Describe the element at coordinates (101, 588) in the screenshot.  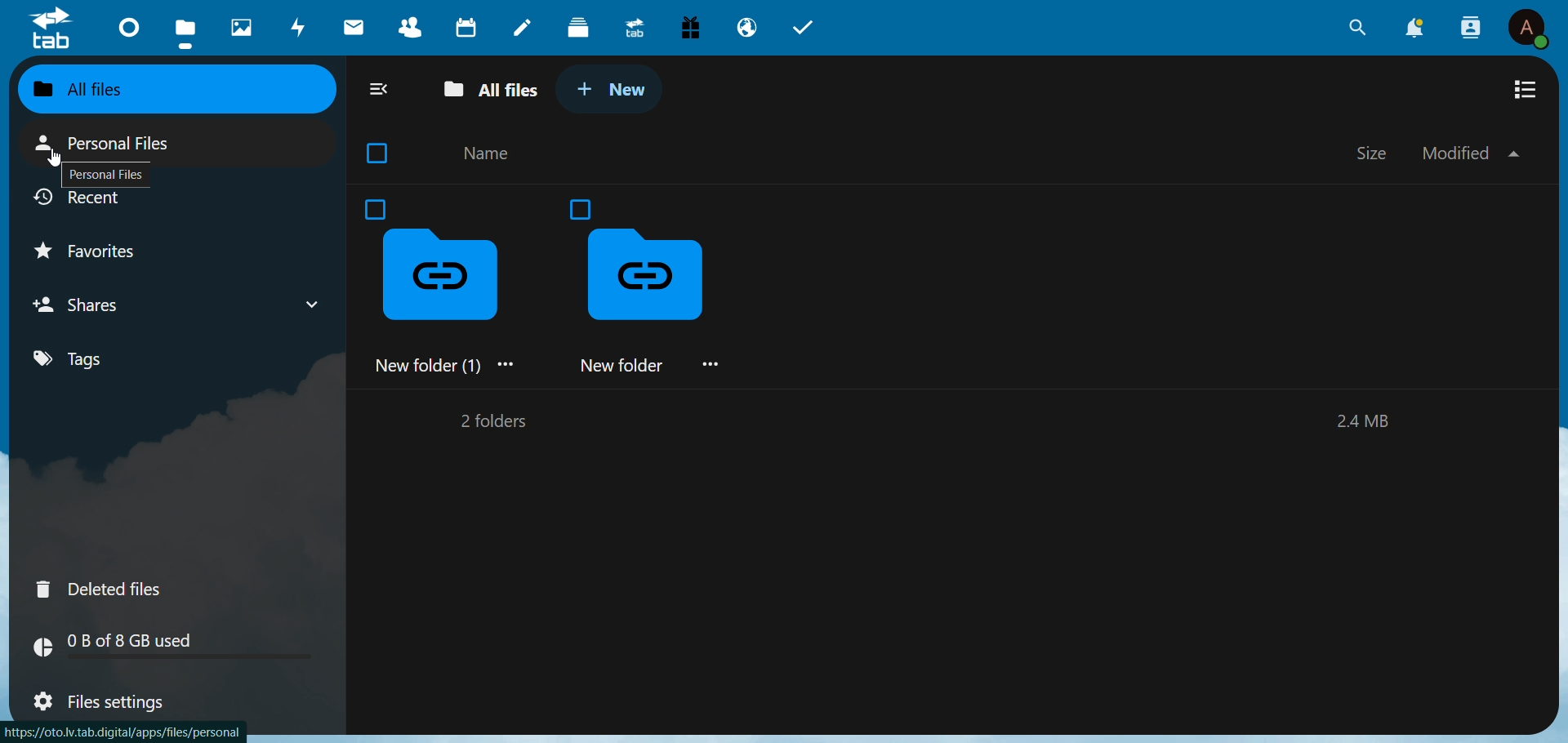
I see `deleted files` at that location.